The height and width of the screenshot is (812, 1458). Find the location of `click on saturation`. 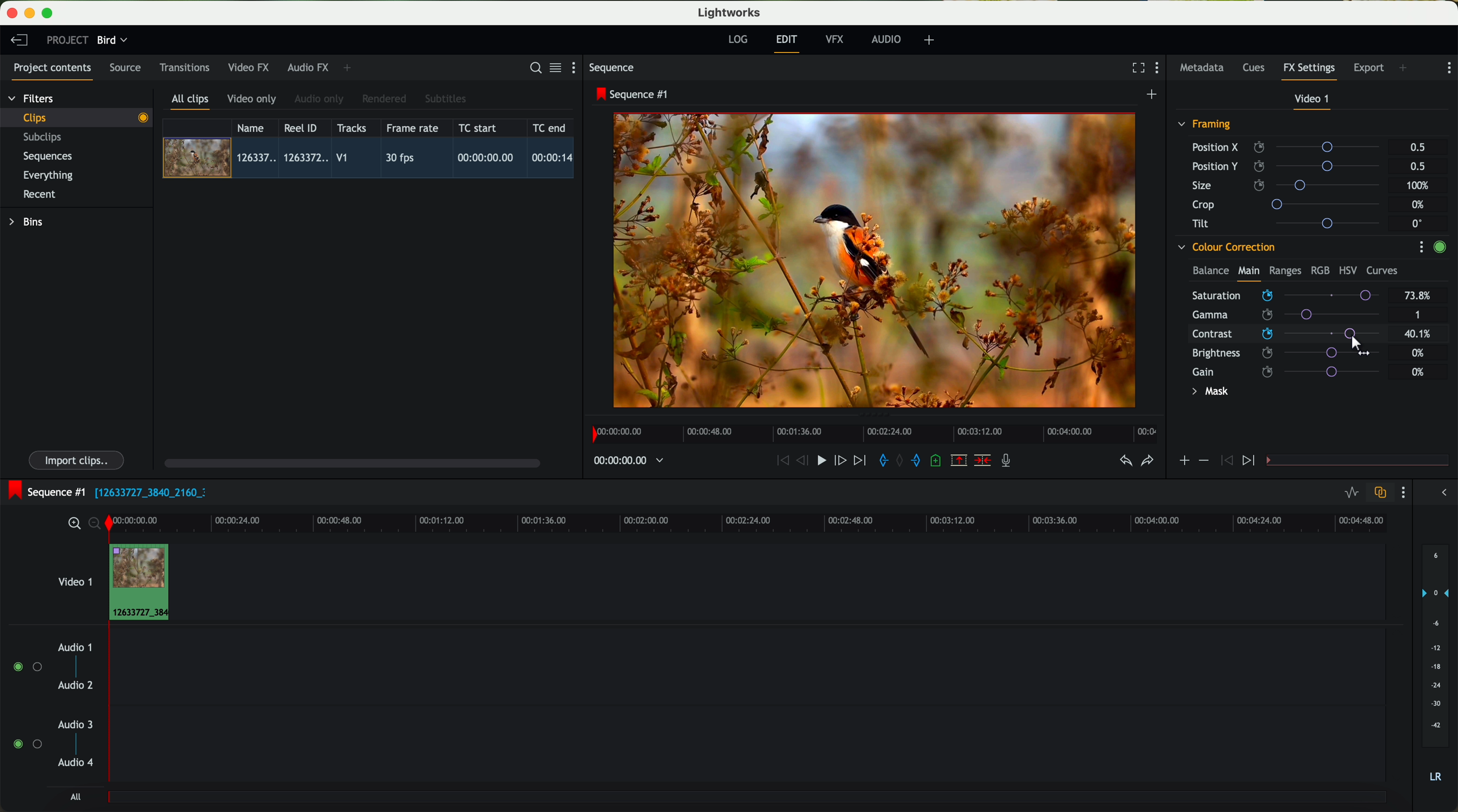

click on saturation is located at coordinates (1280, 316).